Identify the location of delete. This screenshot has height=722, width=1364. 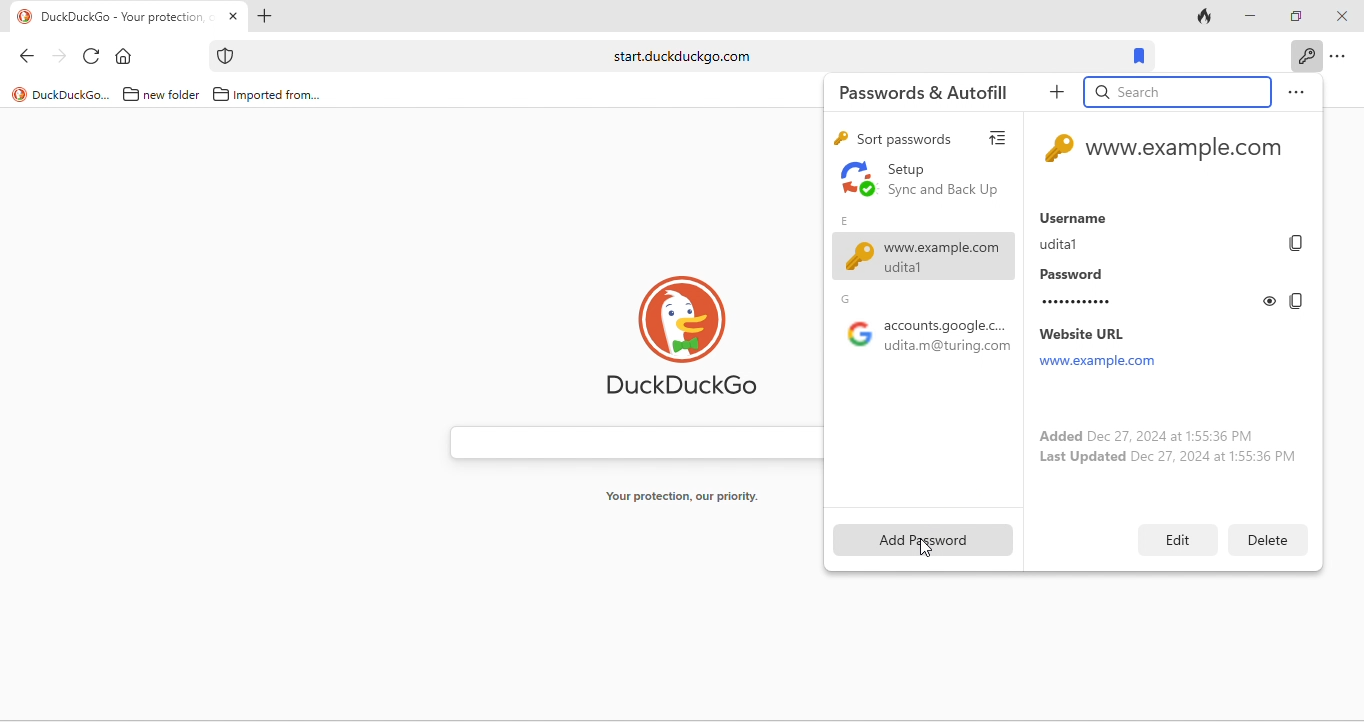
(1267, 540).